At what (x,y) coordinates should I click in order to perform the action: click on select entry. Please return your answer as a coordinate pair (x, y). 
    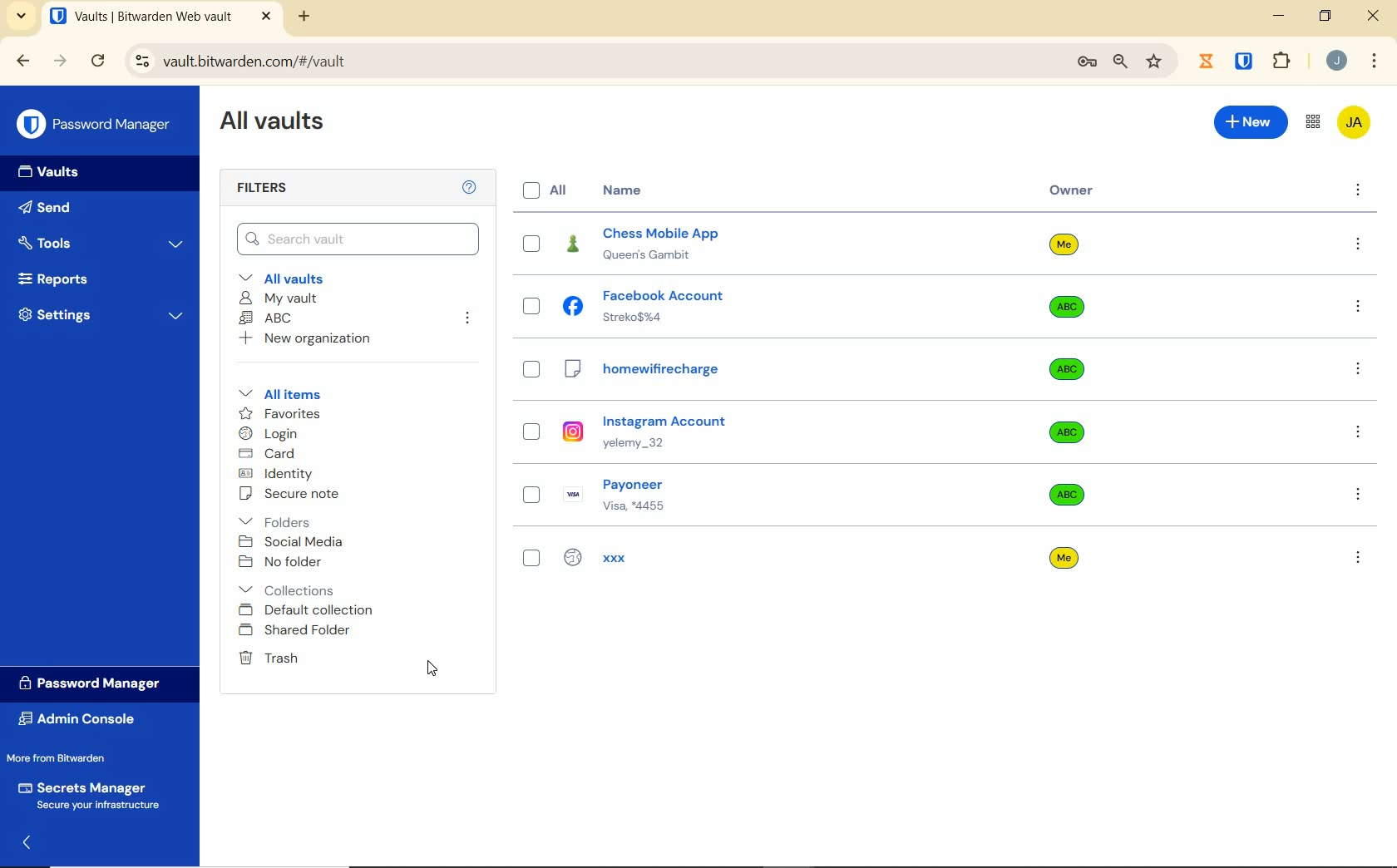
    Looking at the image, I should click on (532, 308).